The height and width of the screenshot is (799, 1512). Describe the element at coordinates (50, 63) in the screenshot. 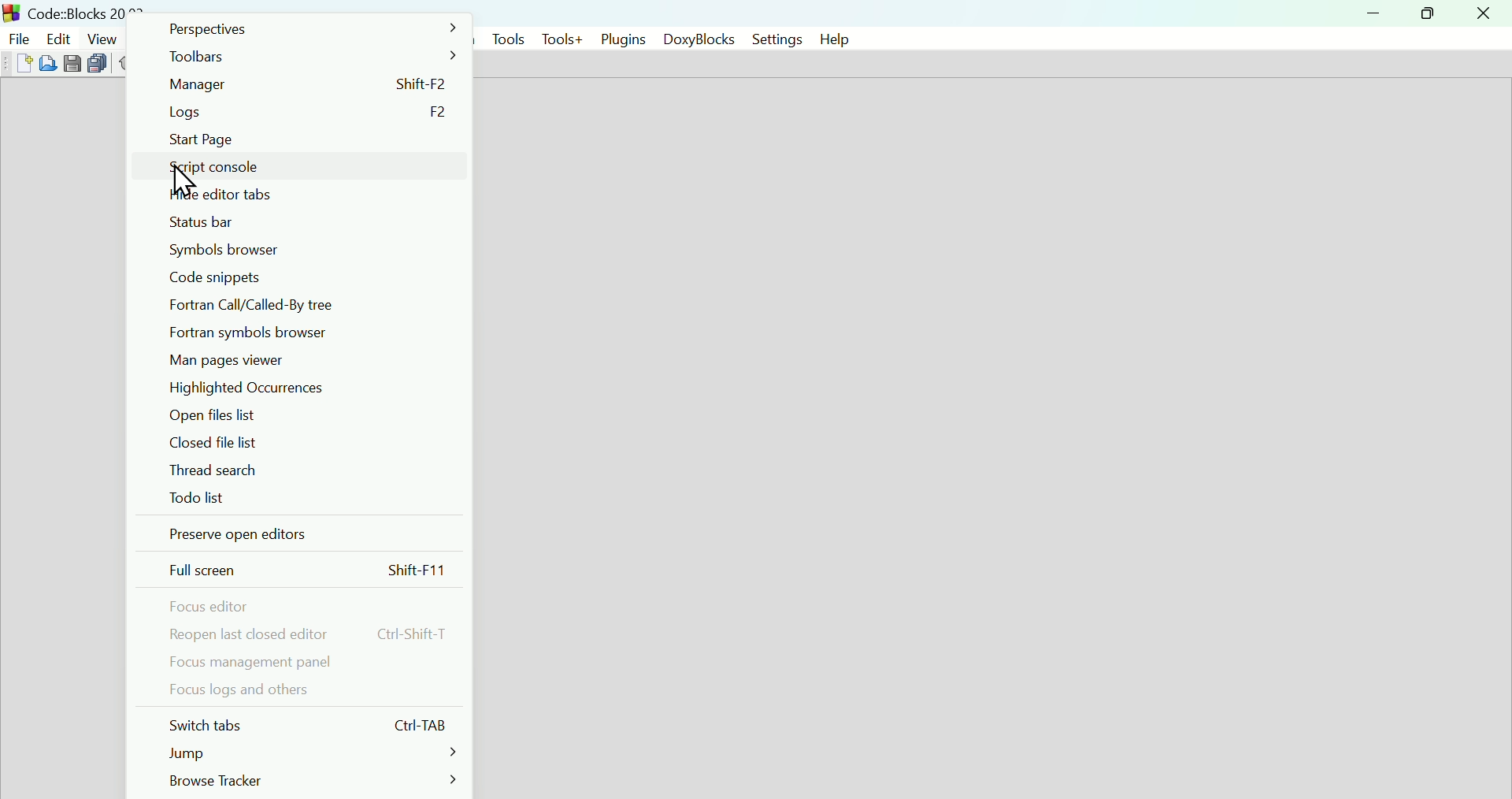

I see `Open file` at that location.